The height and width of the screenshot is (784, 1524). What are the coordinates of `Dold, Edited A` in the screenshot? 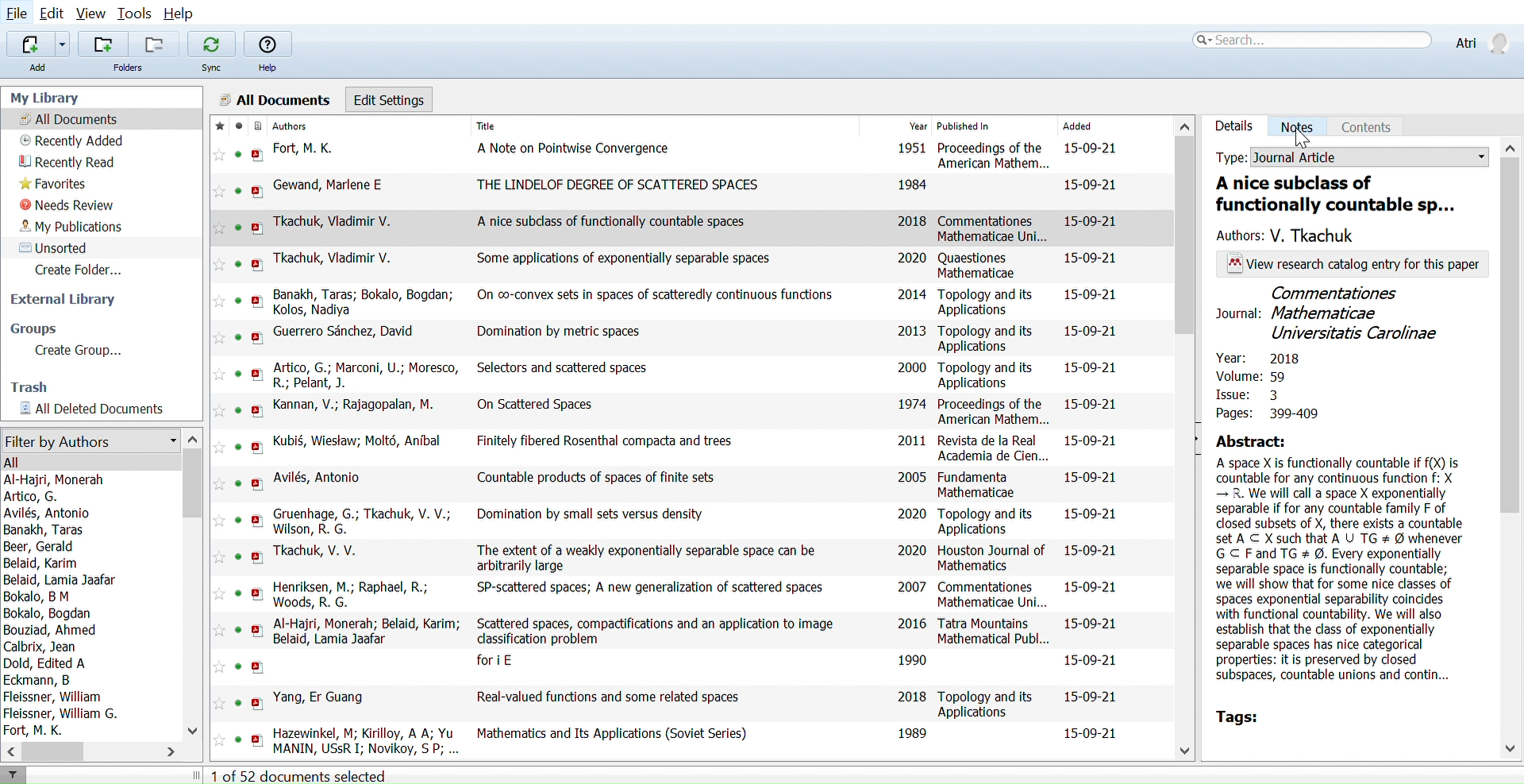 It's located at (47, 663).